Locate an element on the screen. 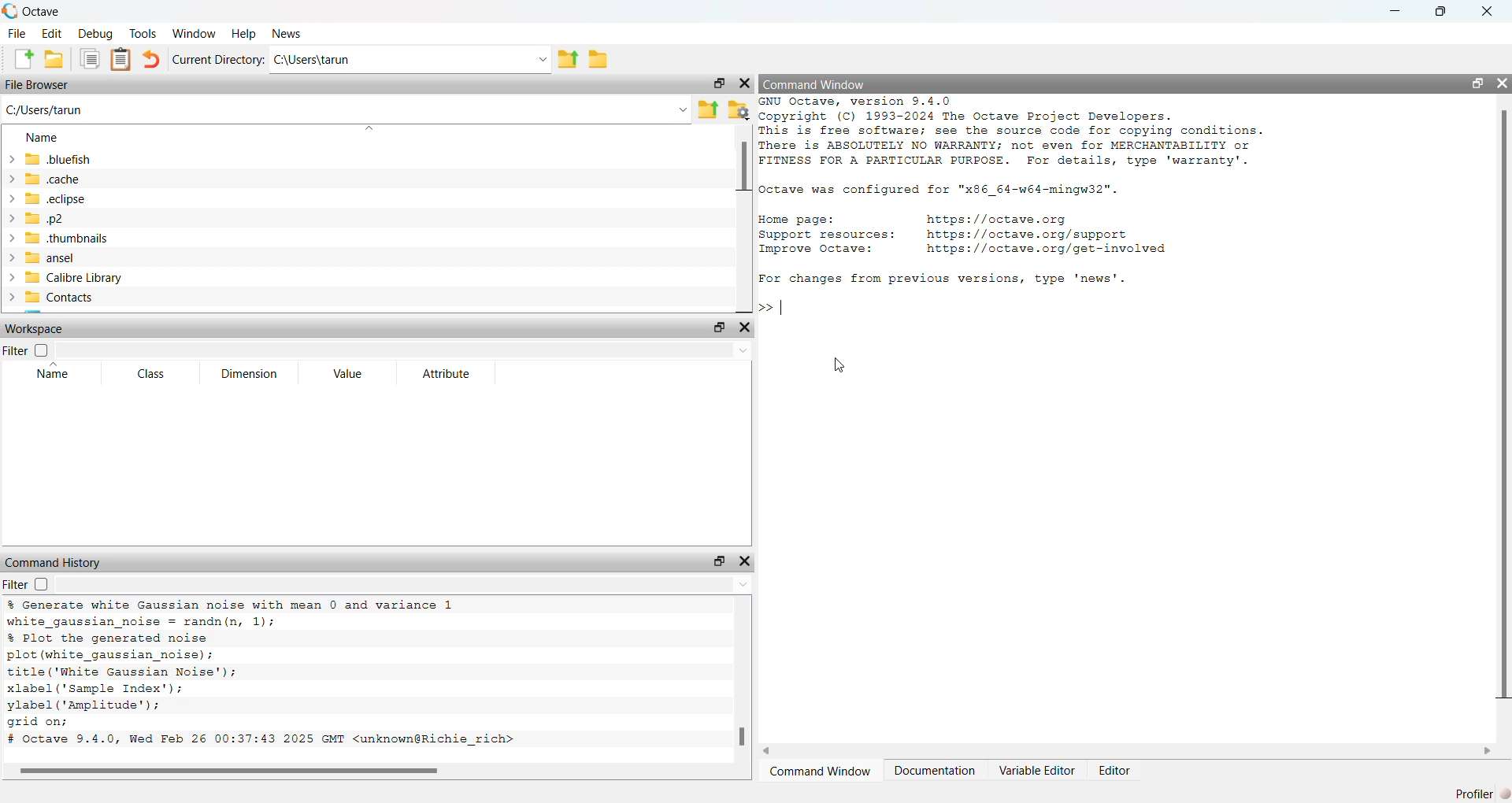  name is located at coordinates (49, 136).